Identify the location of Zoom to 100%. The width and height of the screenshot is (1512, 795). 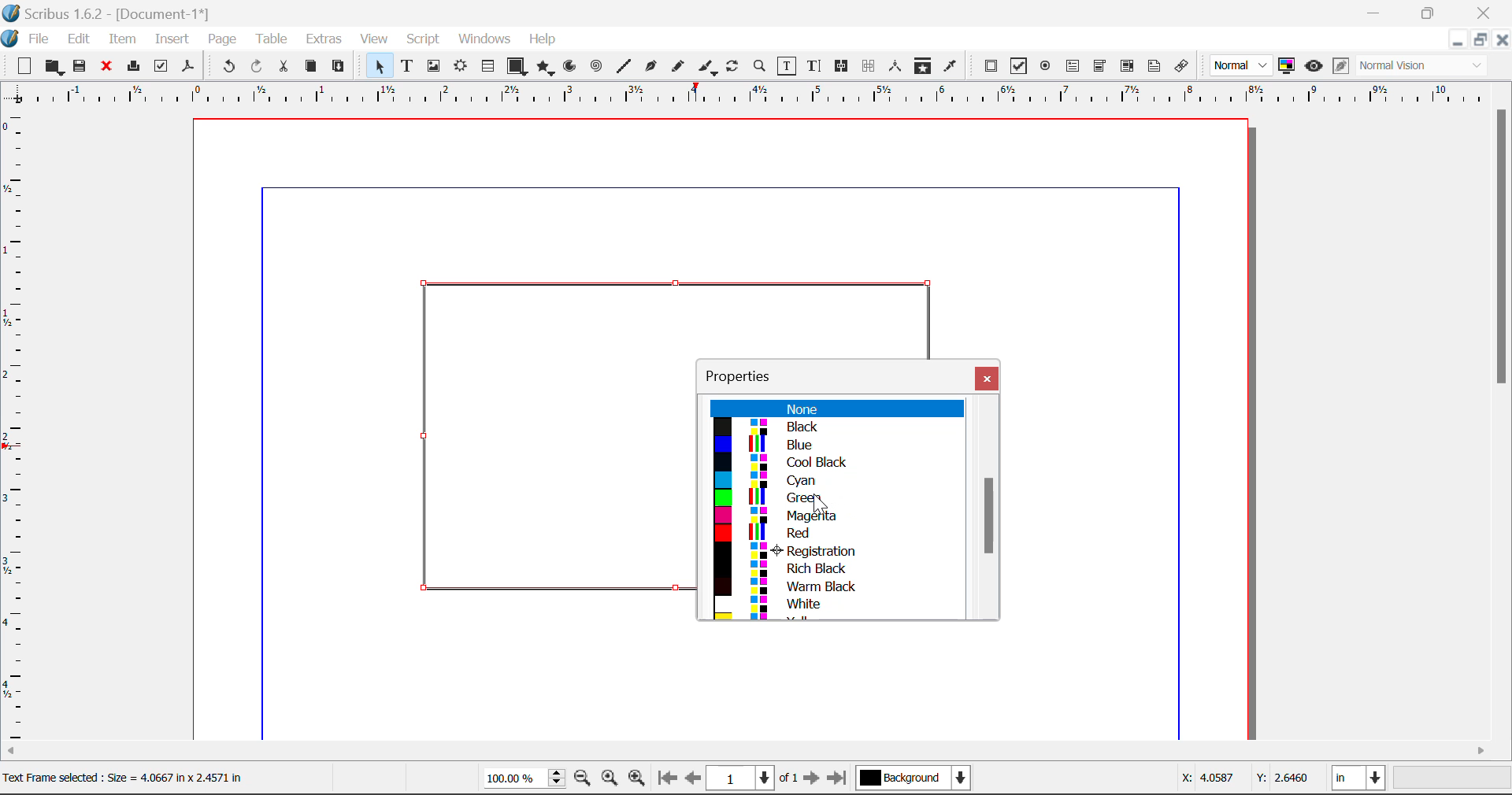
(610, 780).